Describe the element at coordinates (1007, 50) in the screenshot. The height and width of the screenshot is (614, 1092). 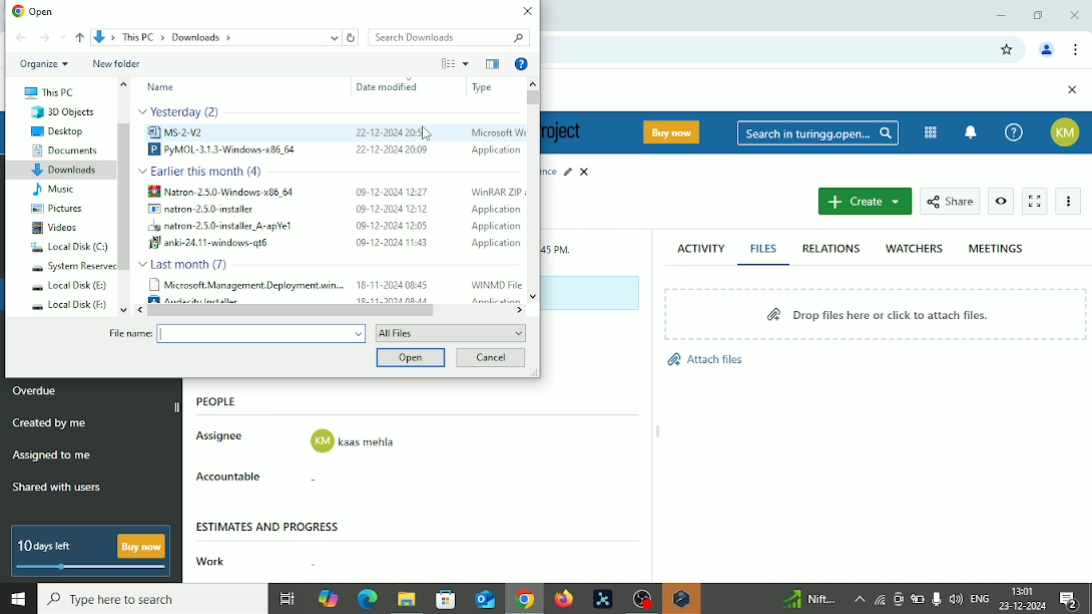
I see `Bookmark this tab` at that location.